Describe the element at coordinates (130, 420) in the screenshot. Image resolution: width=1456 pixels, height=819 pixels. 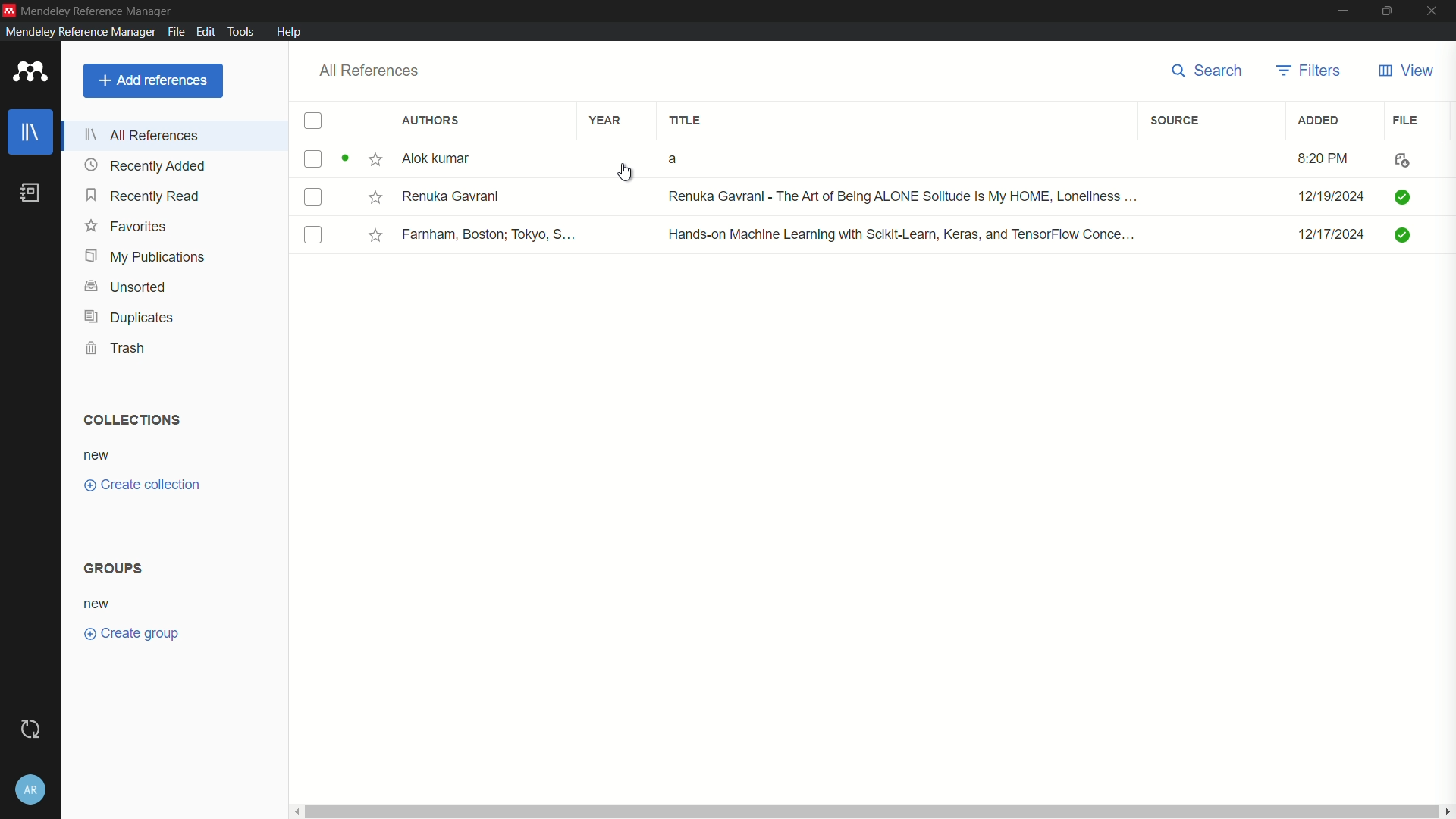
I see `collections` at that location.